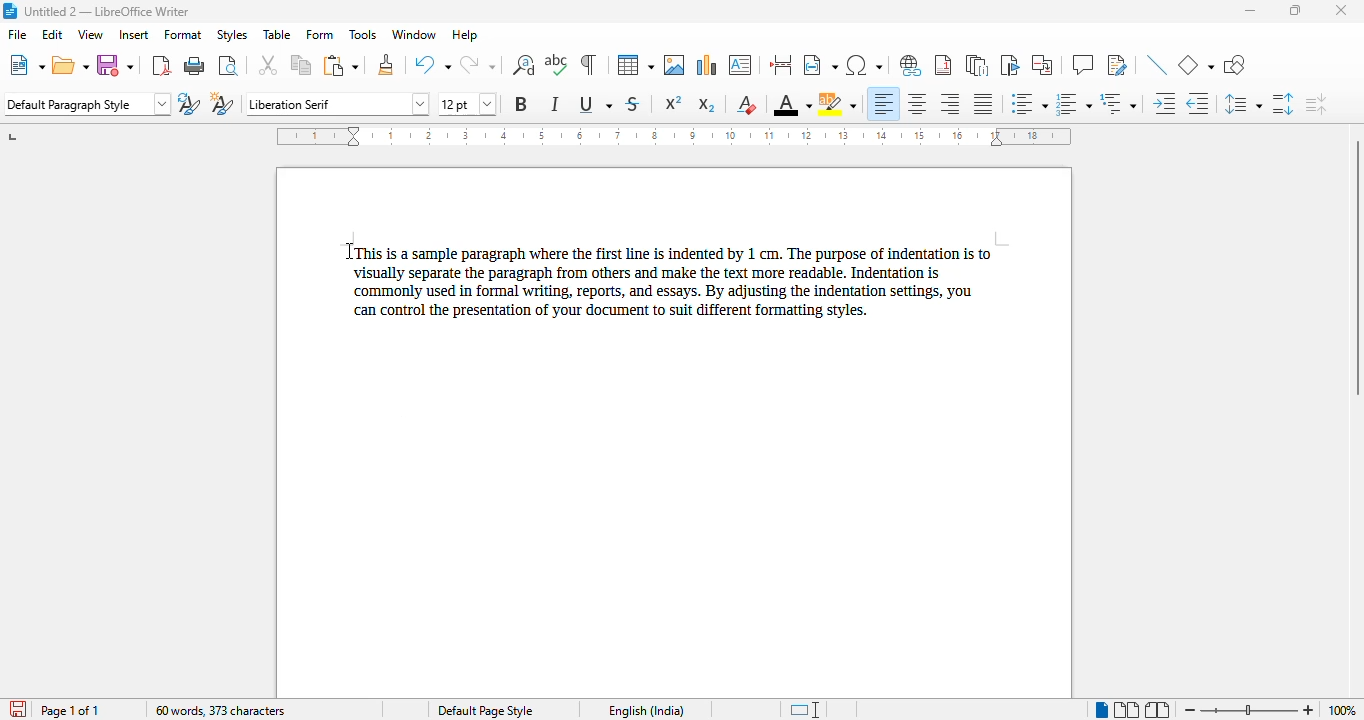  Describe the element at coordinates (231, 34) in the screenshot. I see `styles` at that location.